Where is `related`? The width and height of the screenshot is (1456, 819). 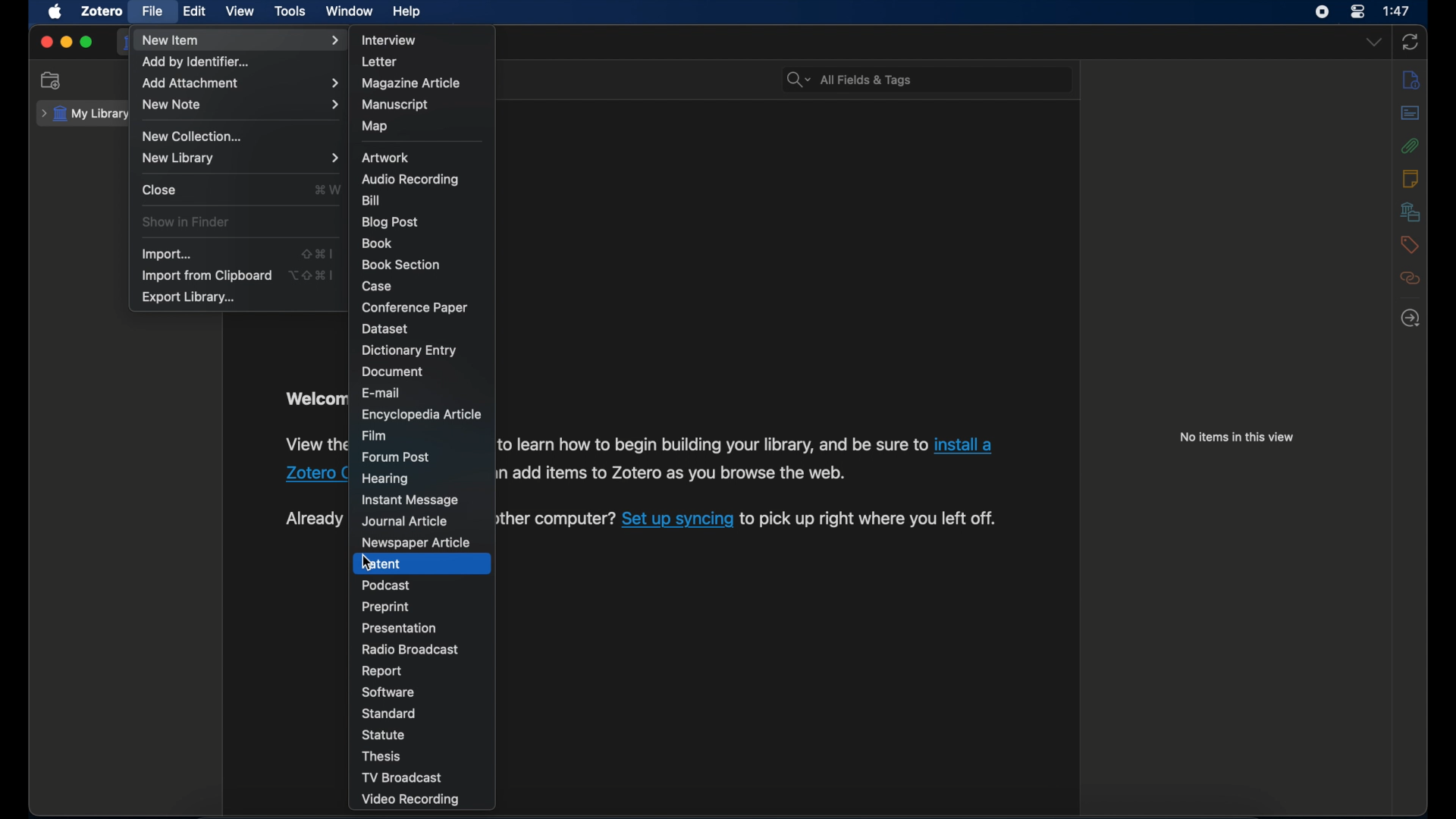
related is located at coordinates (1410, 278).